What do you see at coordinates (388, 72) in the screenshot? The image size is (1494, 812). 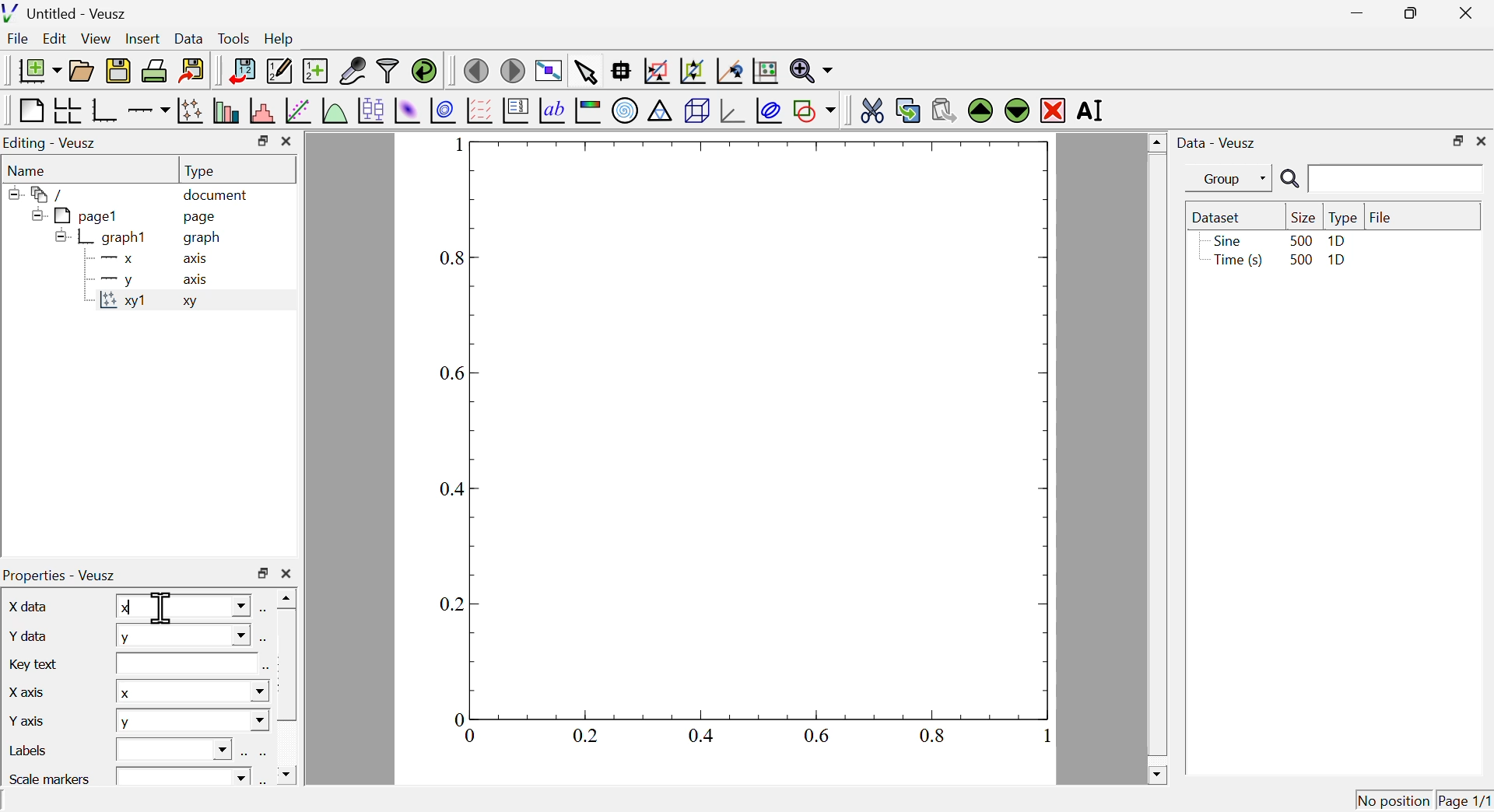 I see `filter data` at bounding box center [388, 72].